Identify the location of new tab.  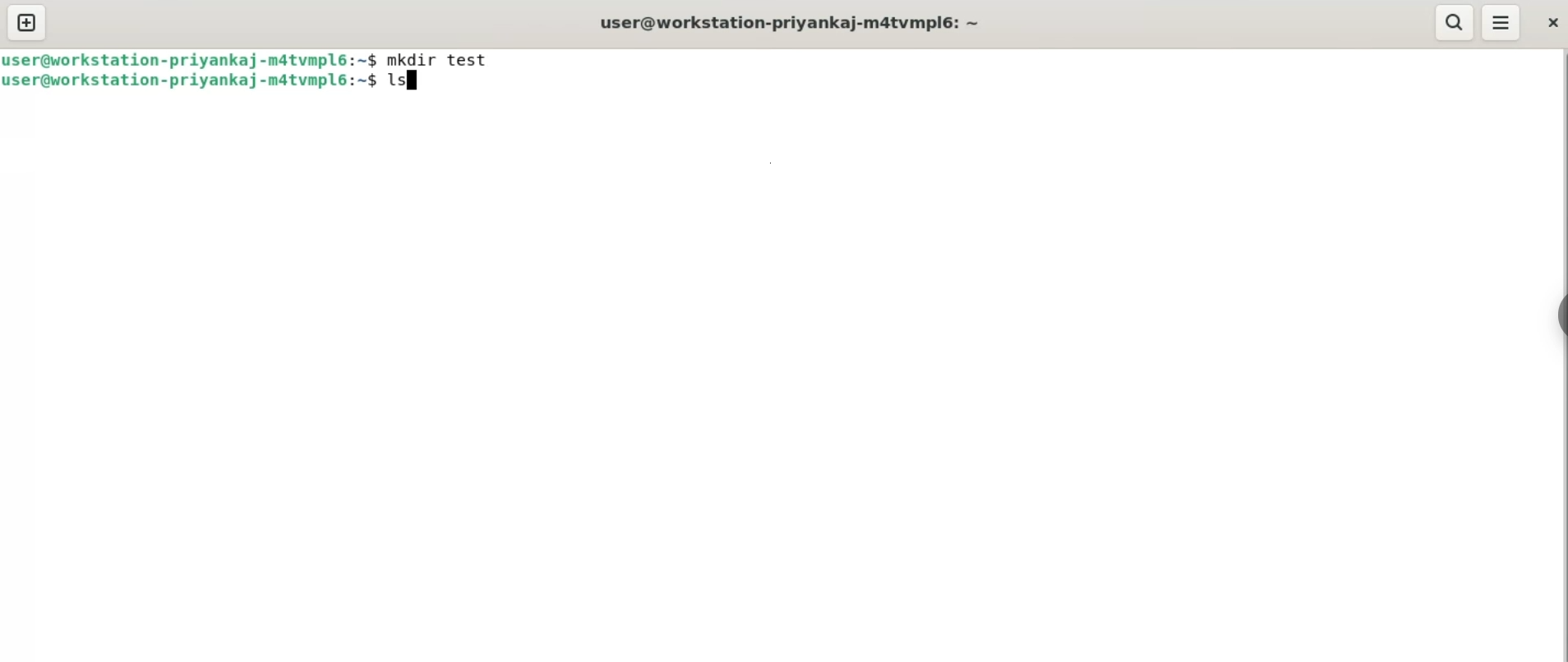
(26, 24).